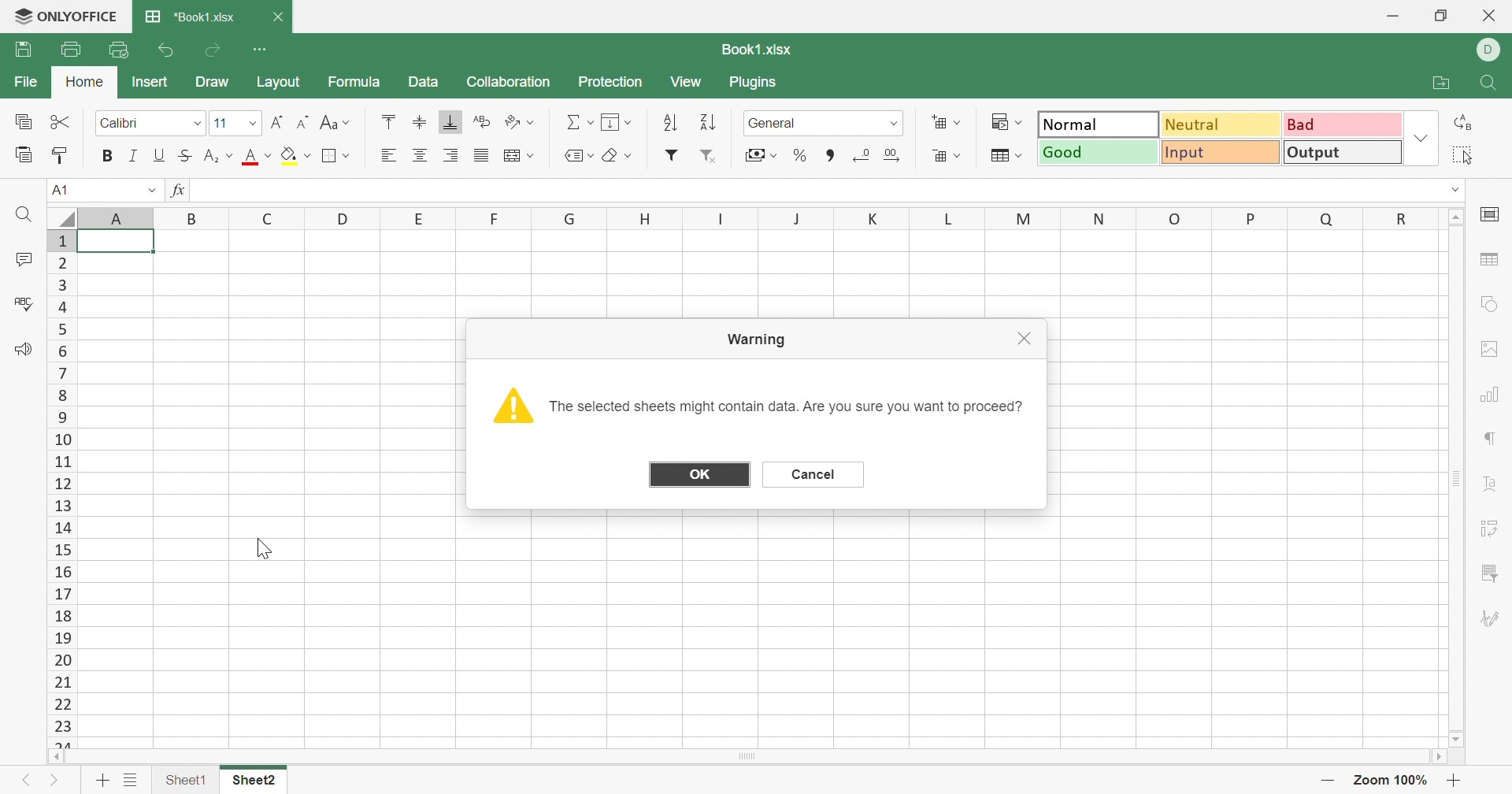 The height and width of the screenshot is (794, 1512). I want to click on The selected sheets might contain data. Are you sure you want to proceed?, so click(787, 406).